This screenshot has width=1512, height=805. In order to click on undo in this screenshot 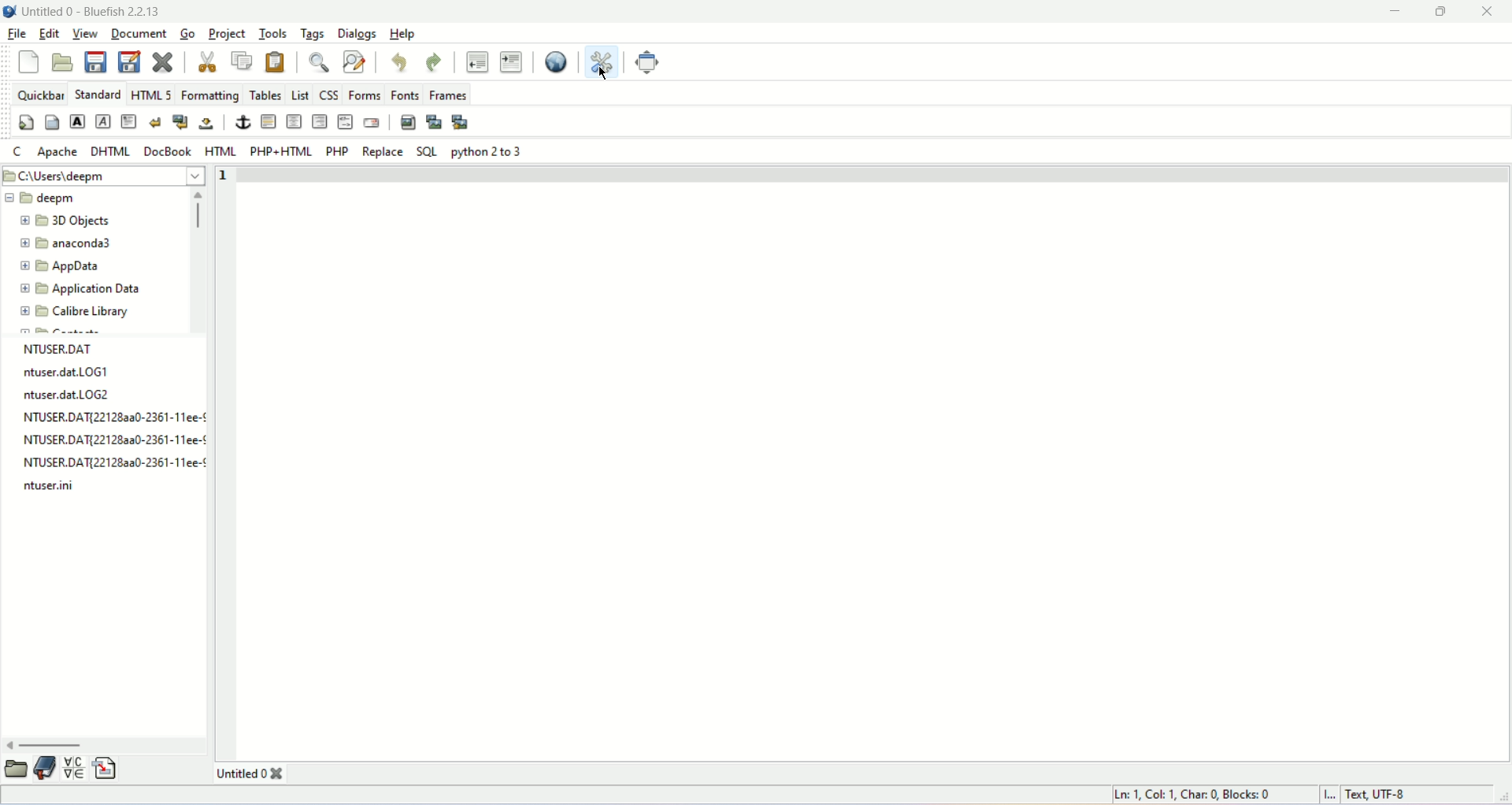, I will do `click(399, 60)`.